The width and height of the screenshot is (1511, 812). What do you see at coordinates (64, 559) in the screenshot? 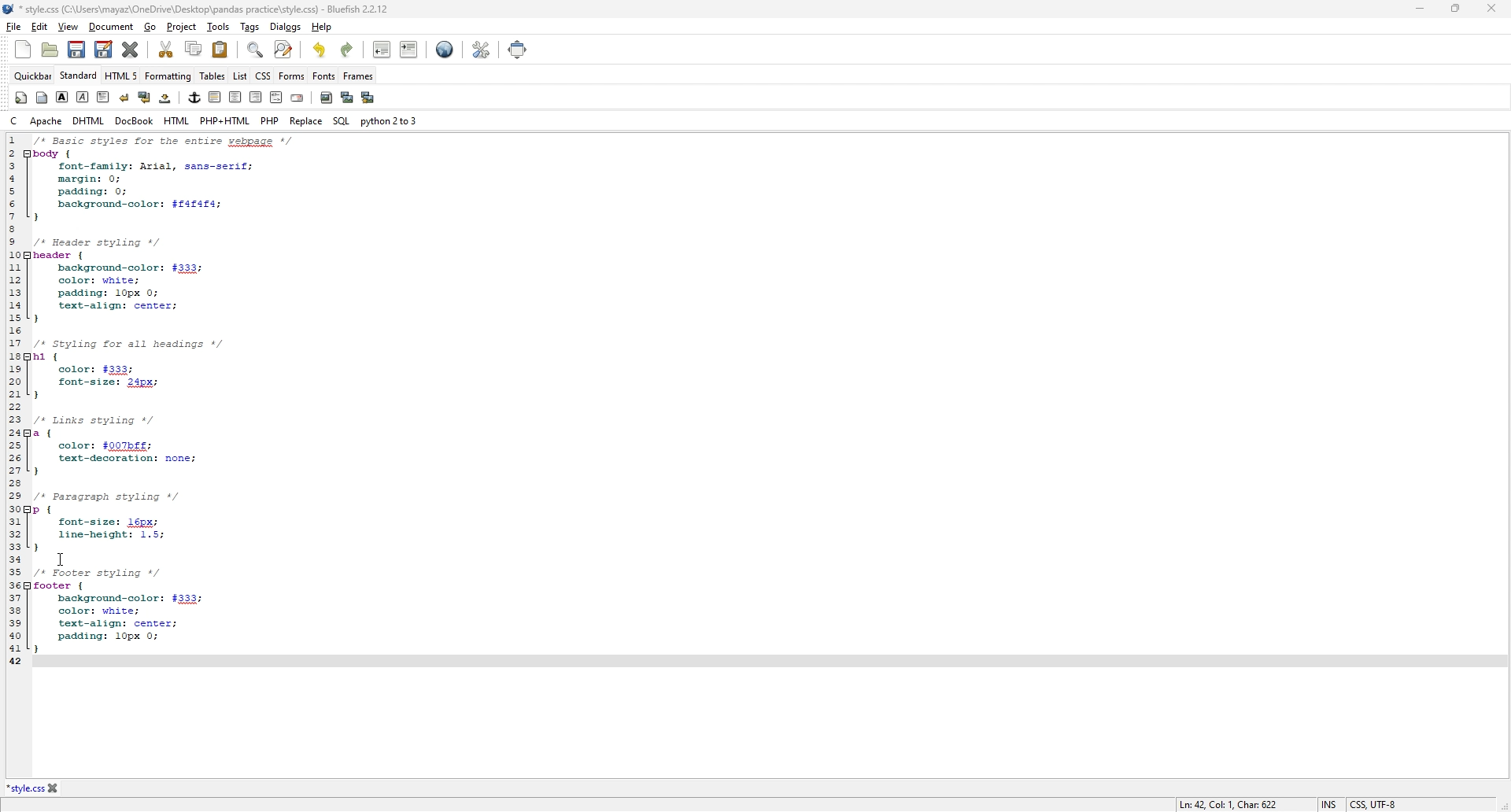
I see `Cursor` at bounding box center [64, 559].